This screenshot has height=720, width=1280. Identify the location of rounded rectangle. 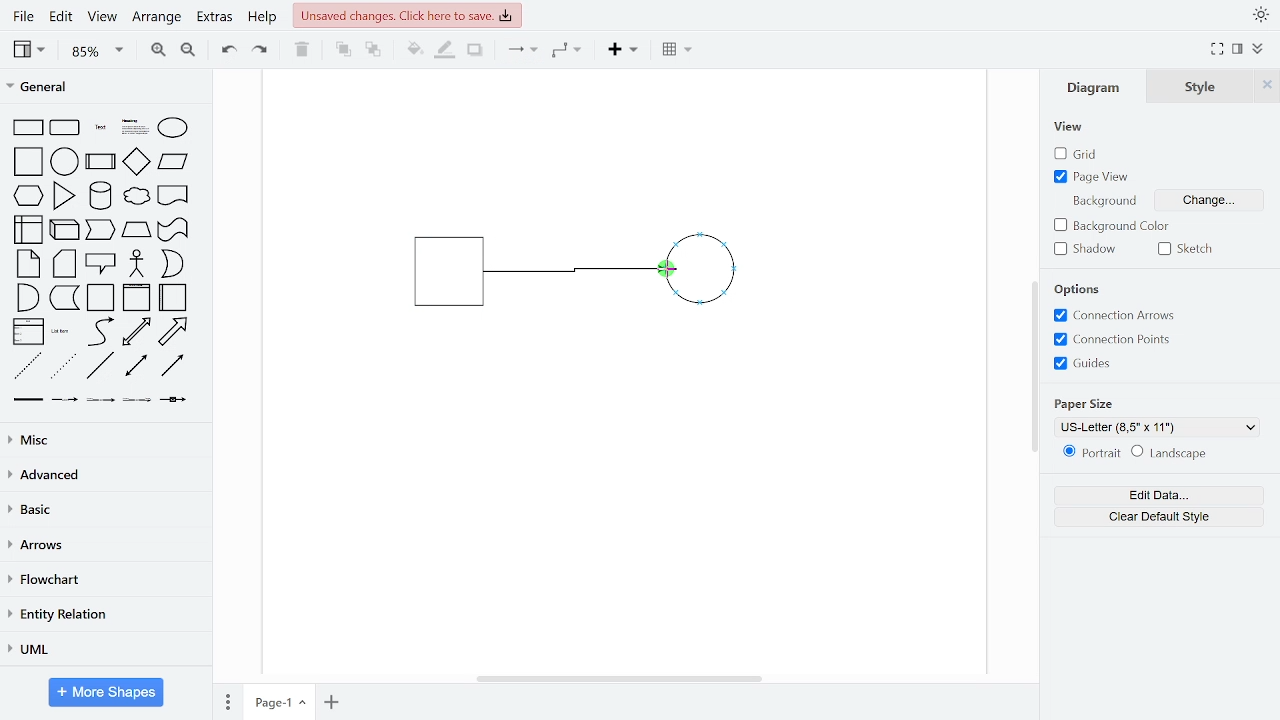
(66, 129).